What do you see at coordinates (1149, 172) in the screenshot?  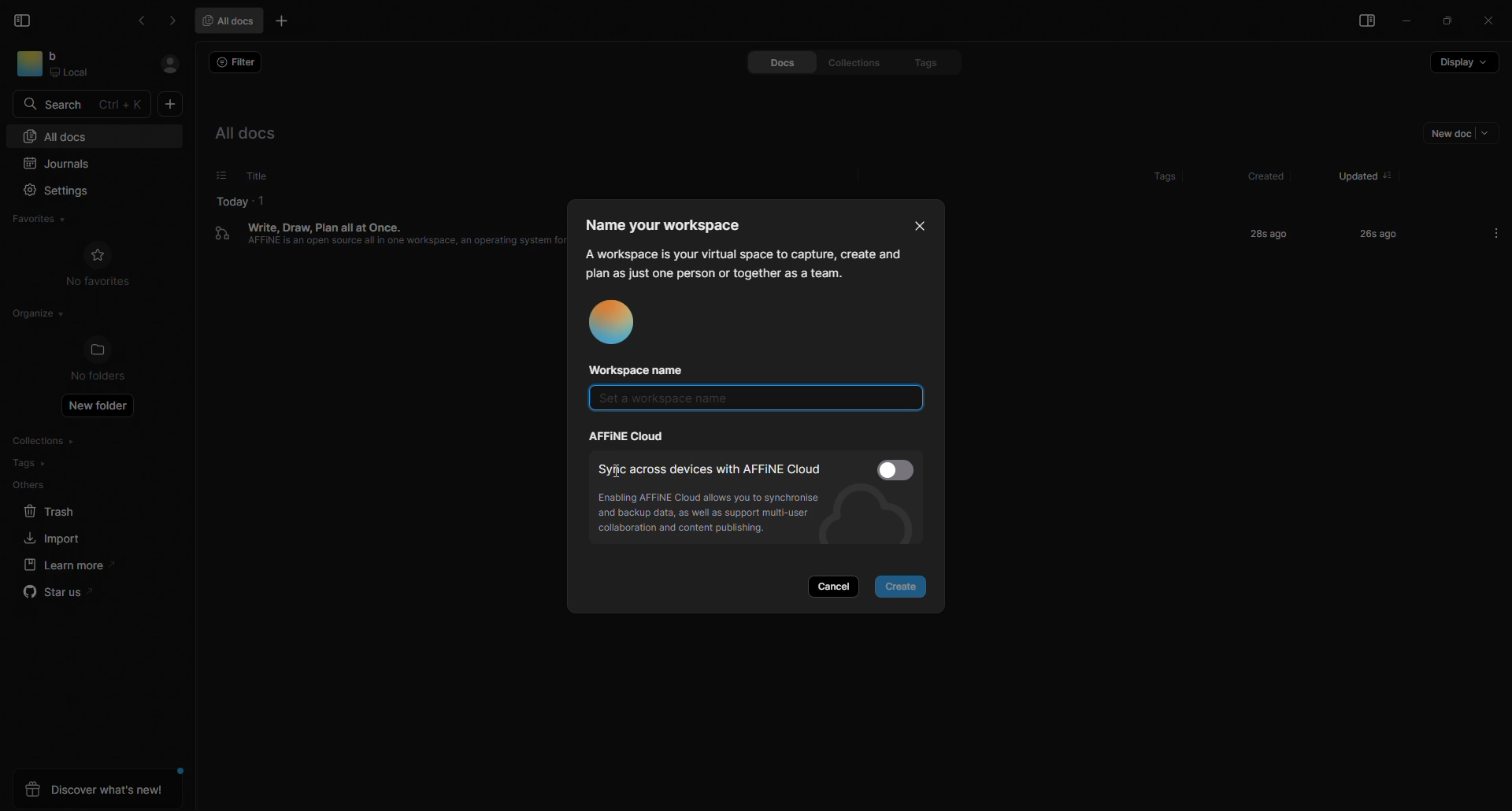 I see `tags` at bounding box center [1149, 172].